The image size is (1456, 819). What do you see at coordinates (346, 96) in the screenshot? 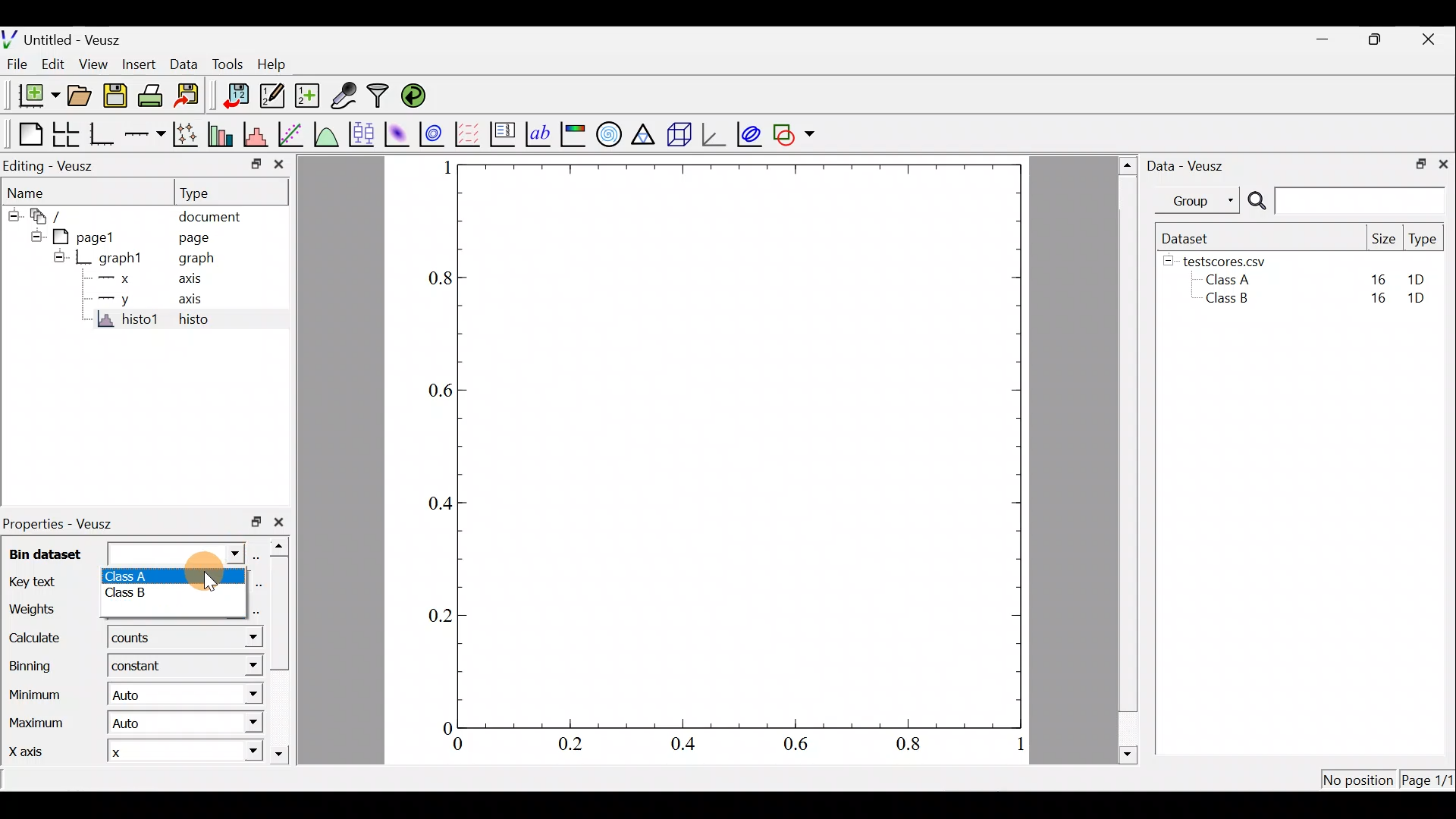
I see `Capture remote data` at bounding box center [346, 96].